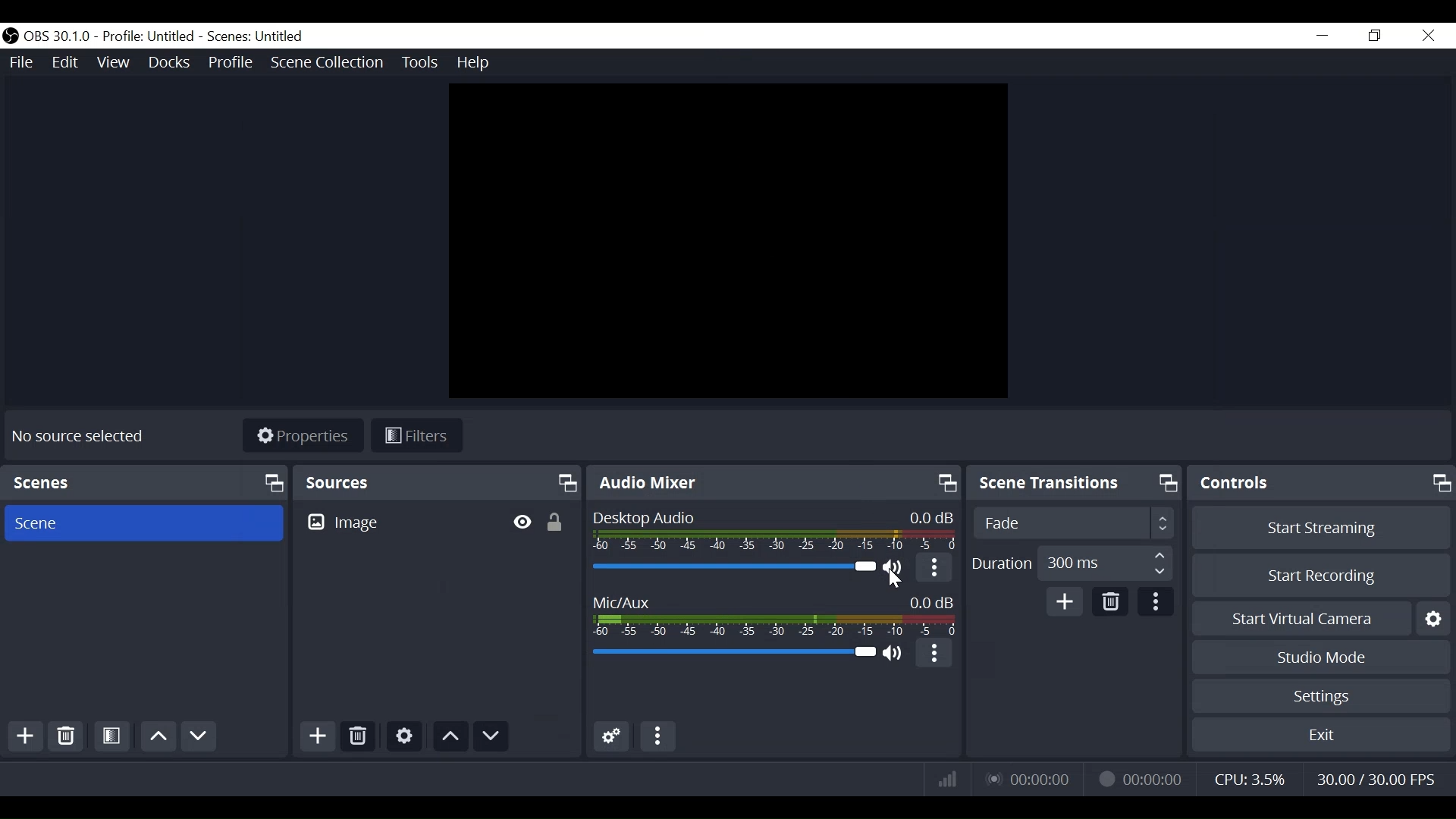 This screenshot has height=819, width=1456. What do you see at coordinates (1431, 36) in the screenshot?
I see `Close` at bounding box center [1431, 36].